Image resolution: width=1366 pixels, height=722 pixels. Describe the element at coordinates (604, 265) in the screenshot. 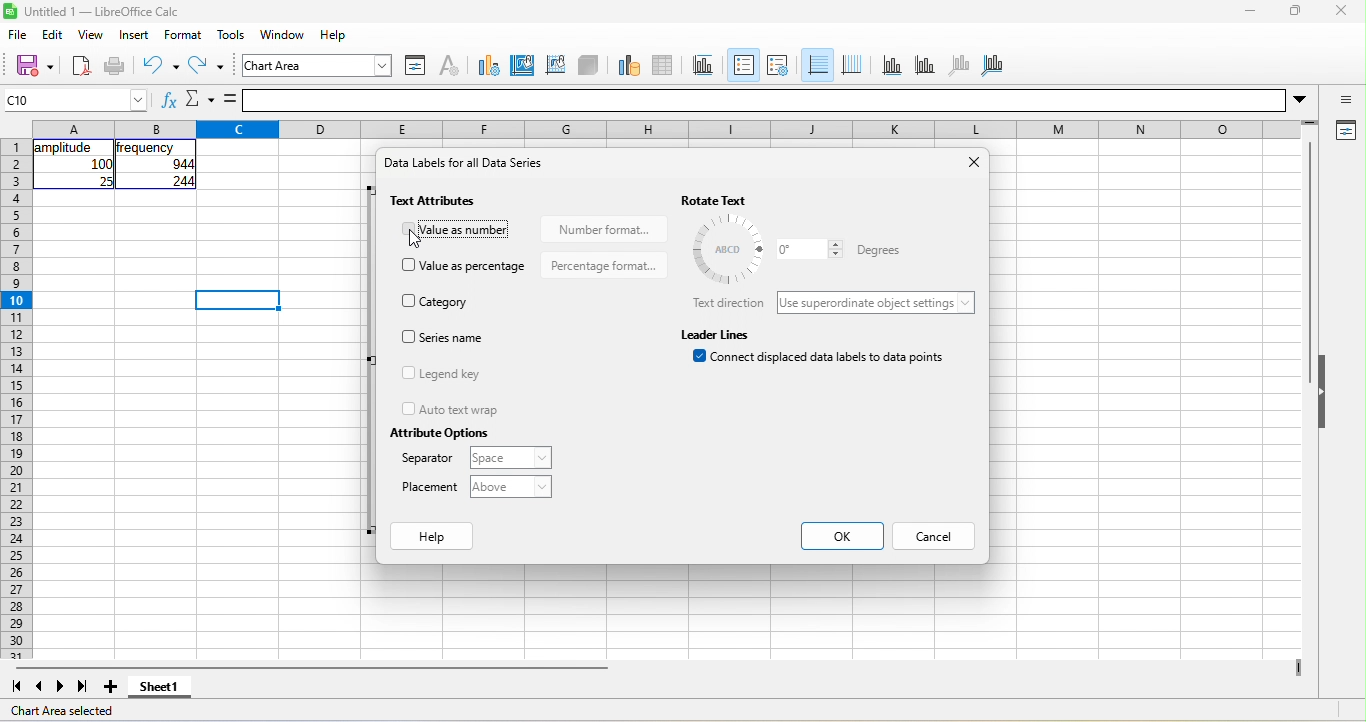

I see `percentage format` at that location.